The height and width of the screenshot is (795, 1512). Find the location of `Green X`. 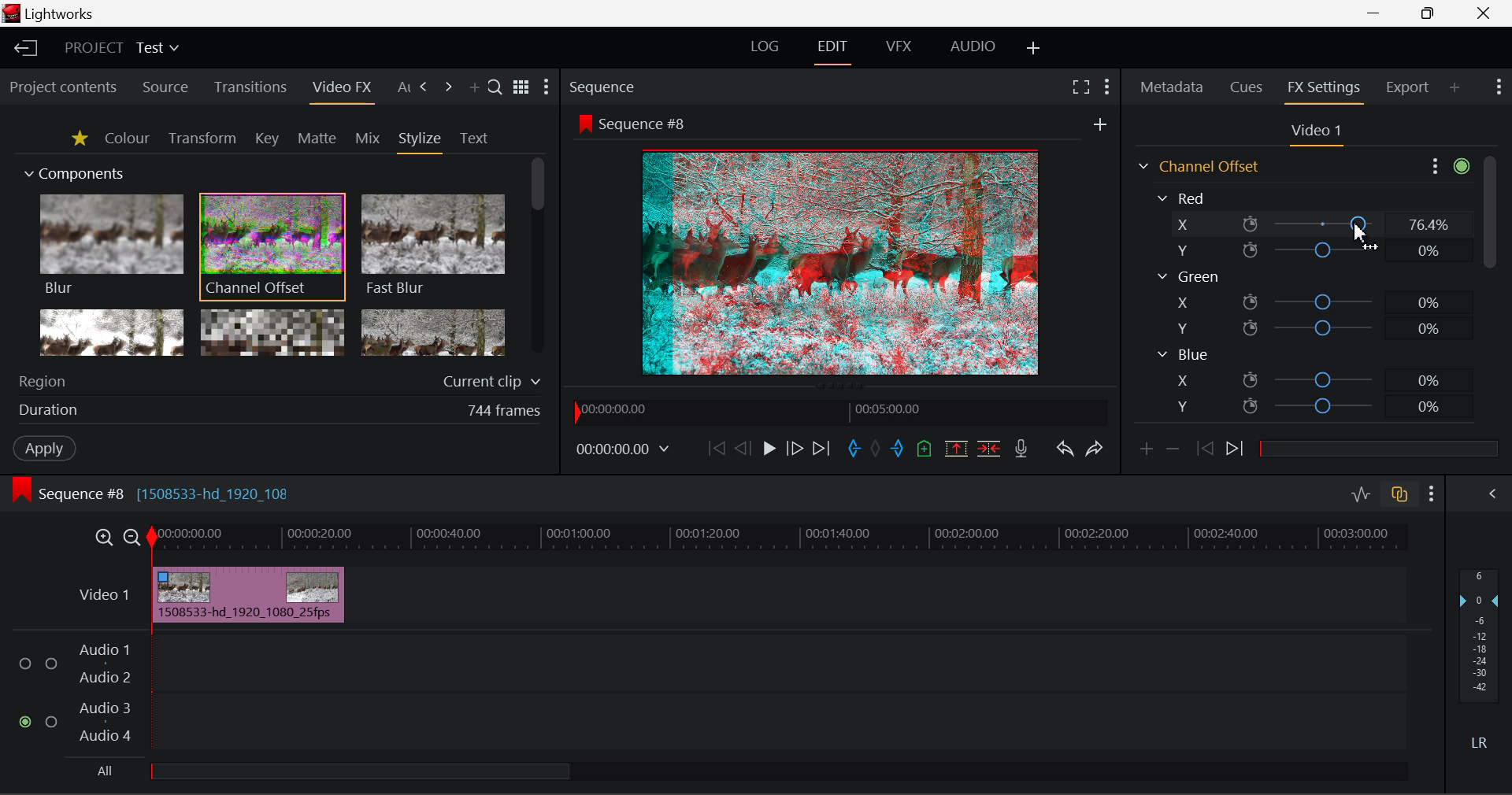

Green X is located at coordinates (1310, 301).